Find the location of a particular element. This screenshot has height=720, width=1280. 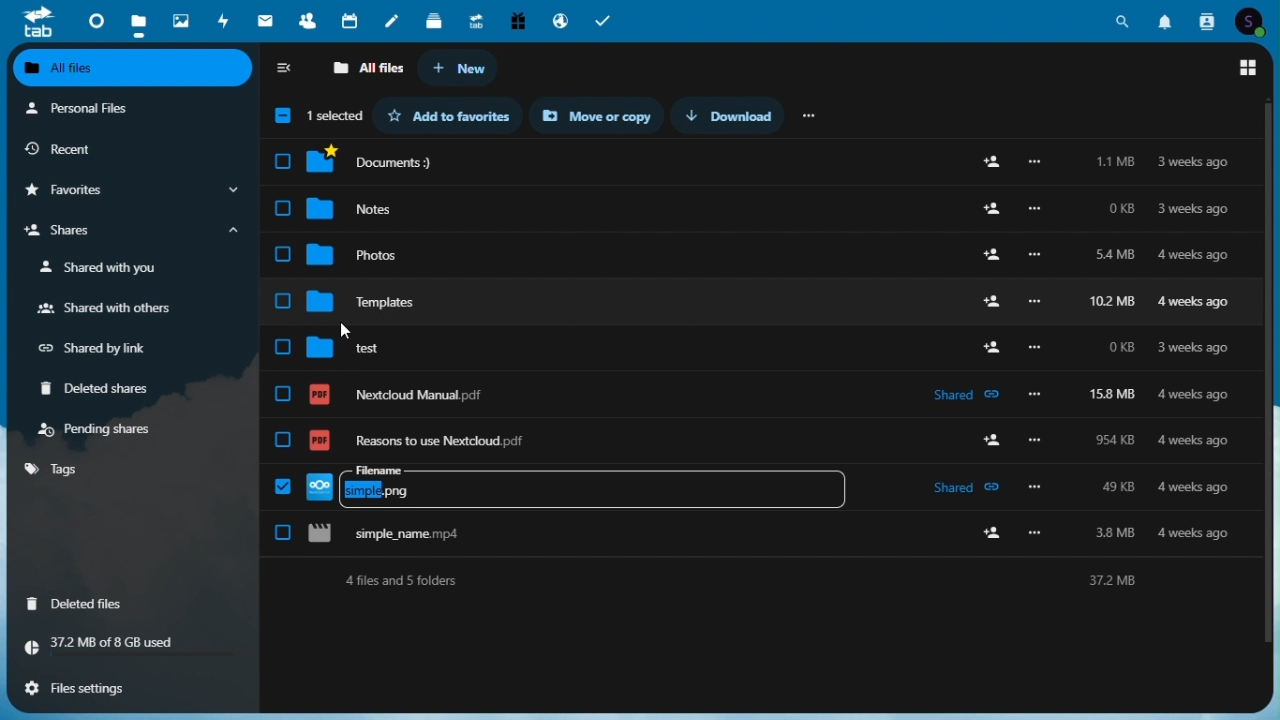

Move or Copy is located at coordinates (604, 116).